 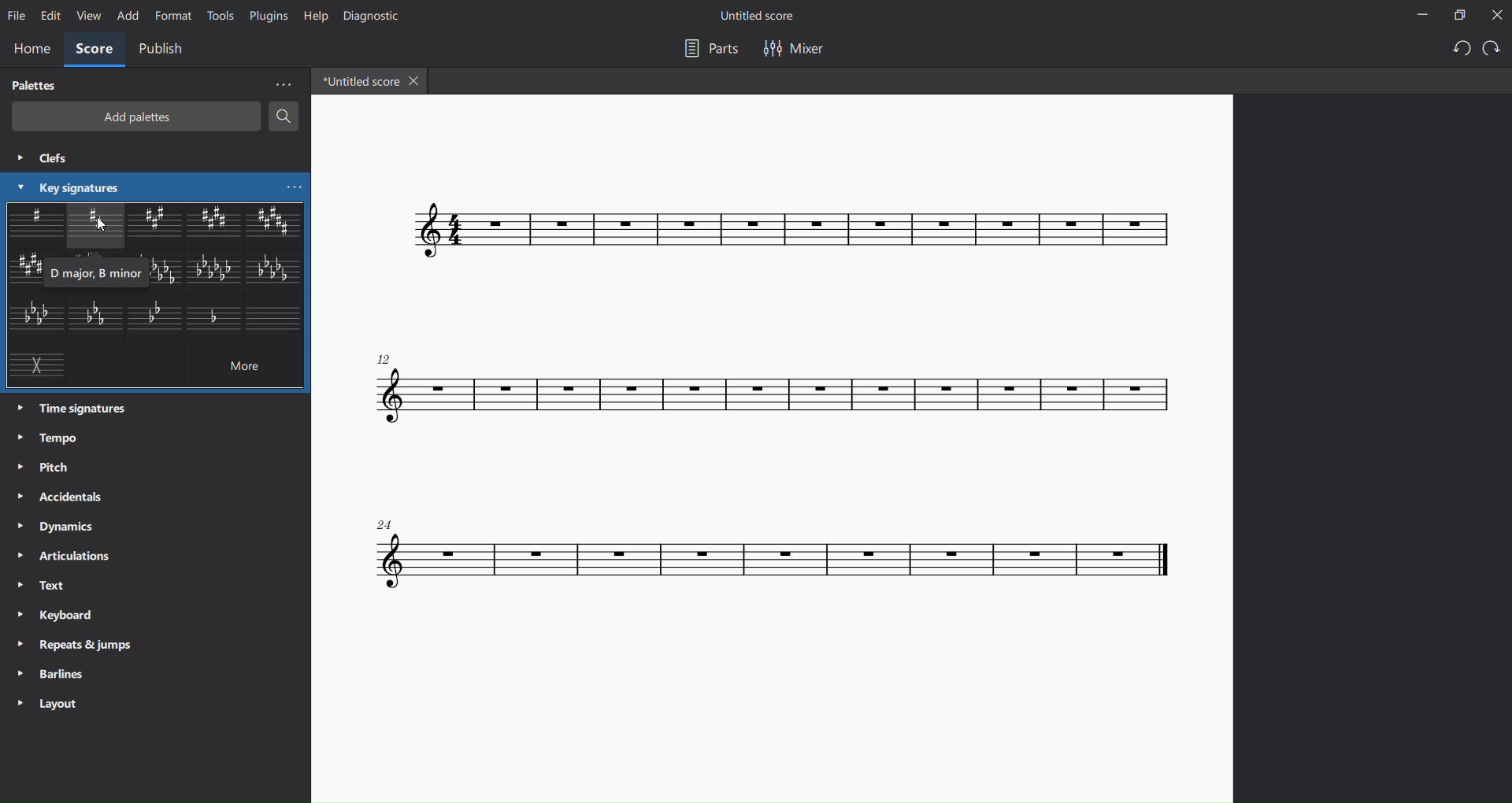 What do you see at coordinates (51, 675) in the screenshot?
I see `barlines` at bounding box center [51, 675].